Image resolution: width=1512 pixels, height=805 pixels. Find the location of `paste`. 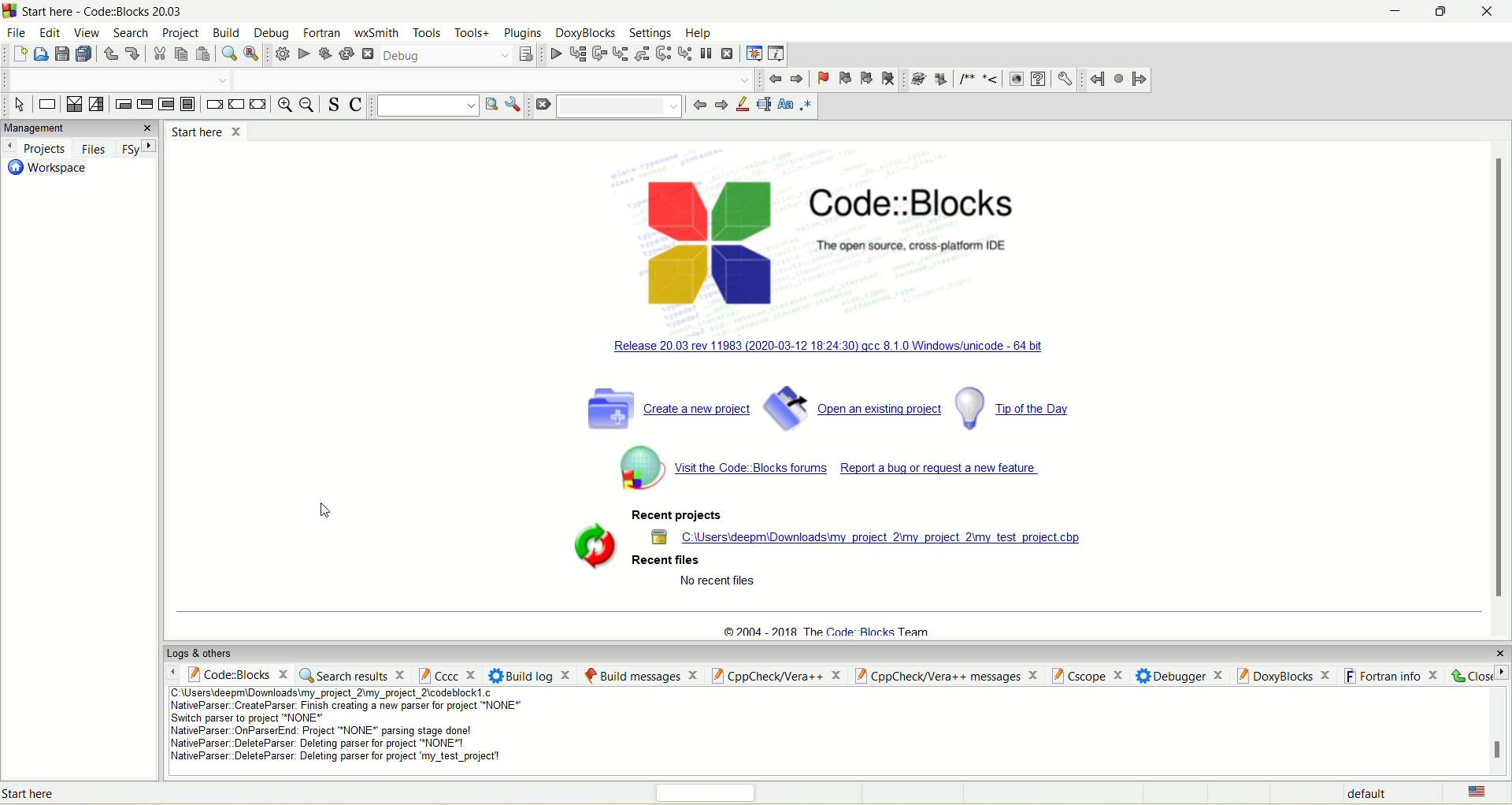

paste is located at coordinates (204, 54).